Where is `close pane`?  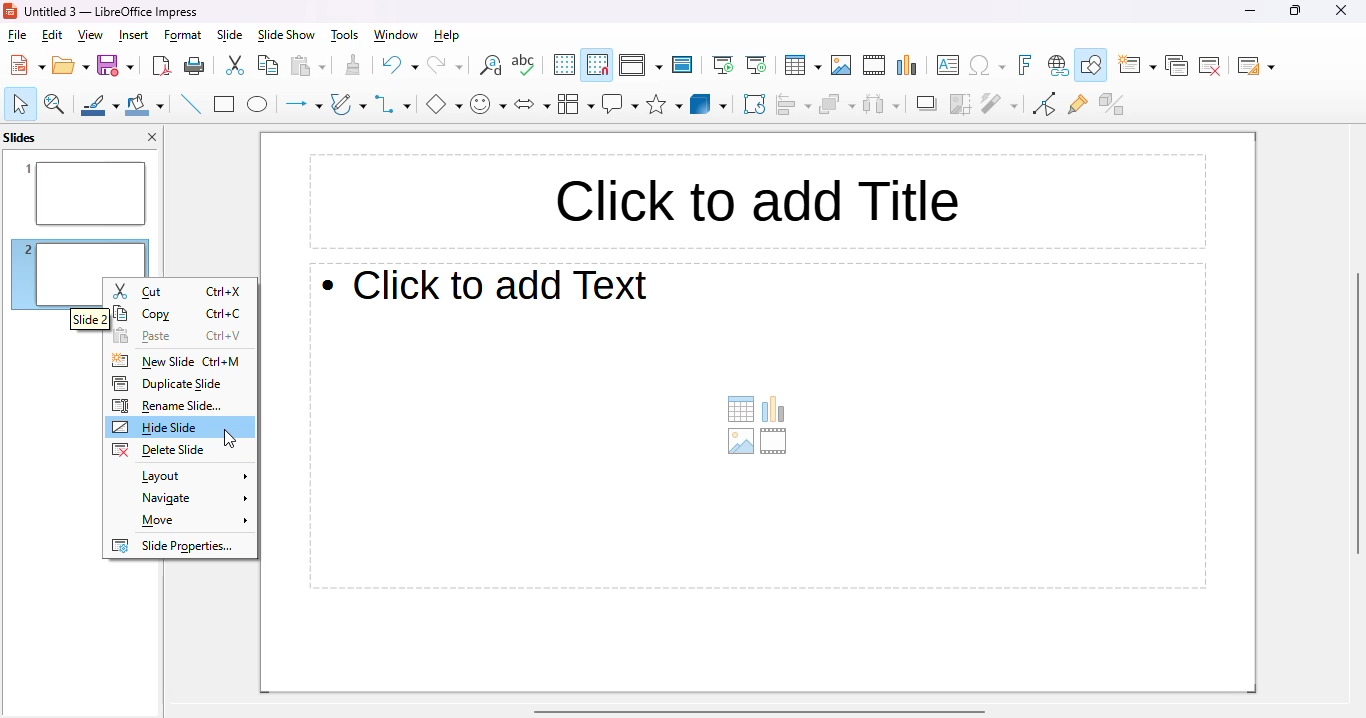
close pane is located at coordinates (154, 136).